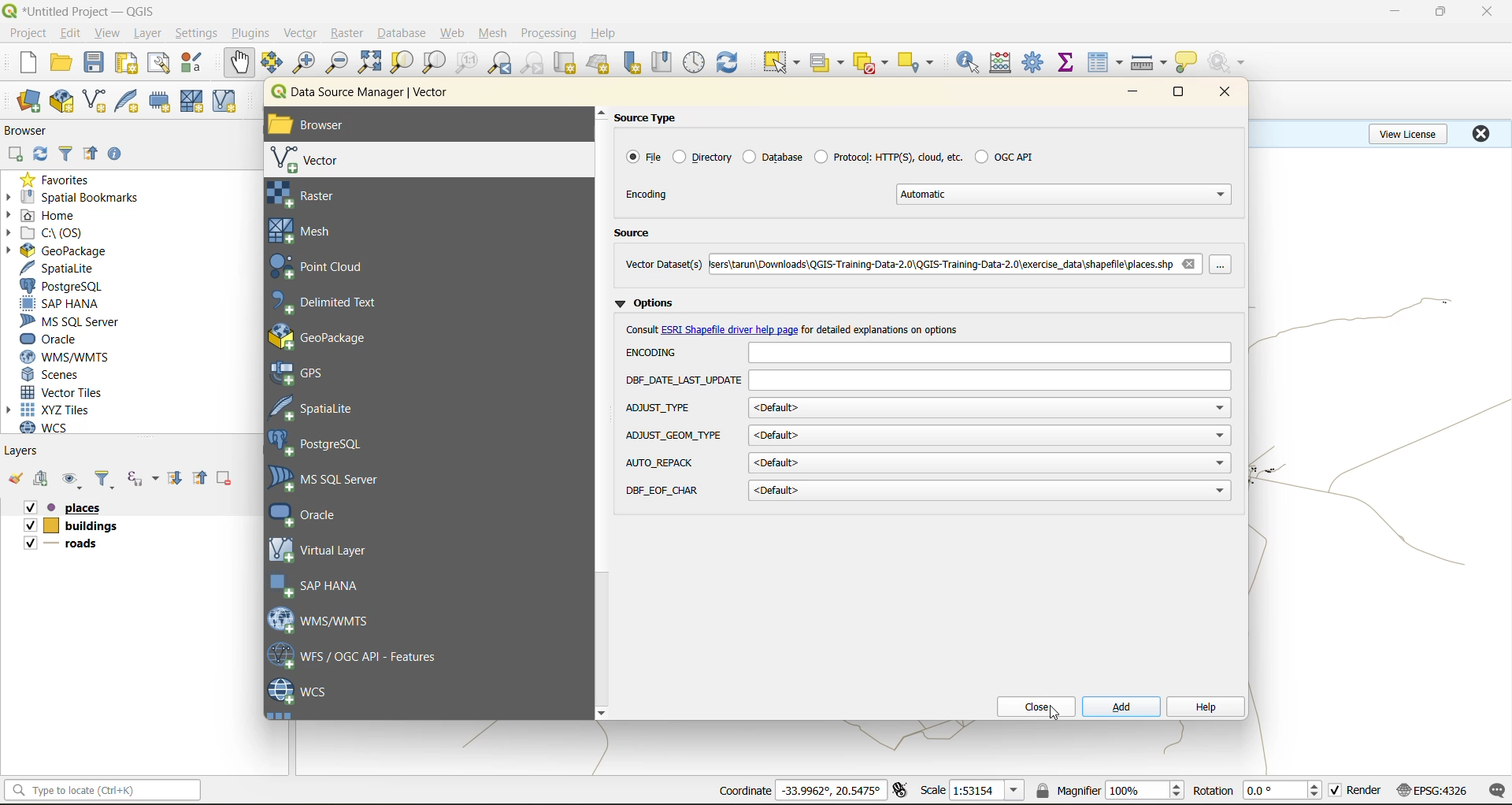  Describe the element at coordinates (164, 102) in the screenshot. I see `temporary scratch layer` at that location.